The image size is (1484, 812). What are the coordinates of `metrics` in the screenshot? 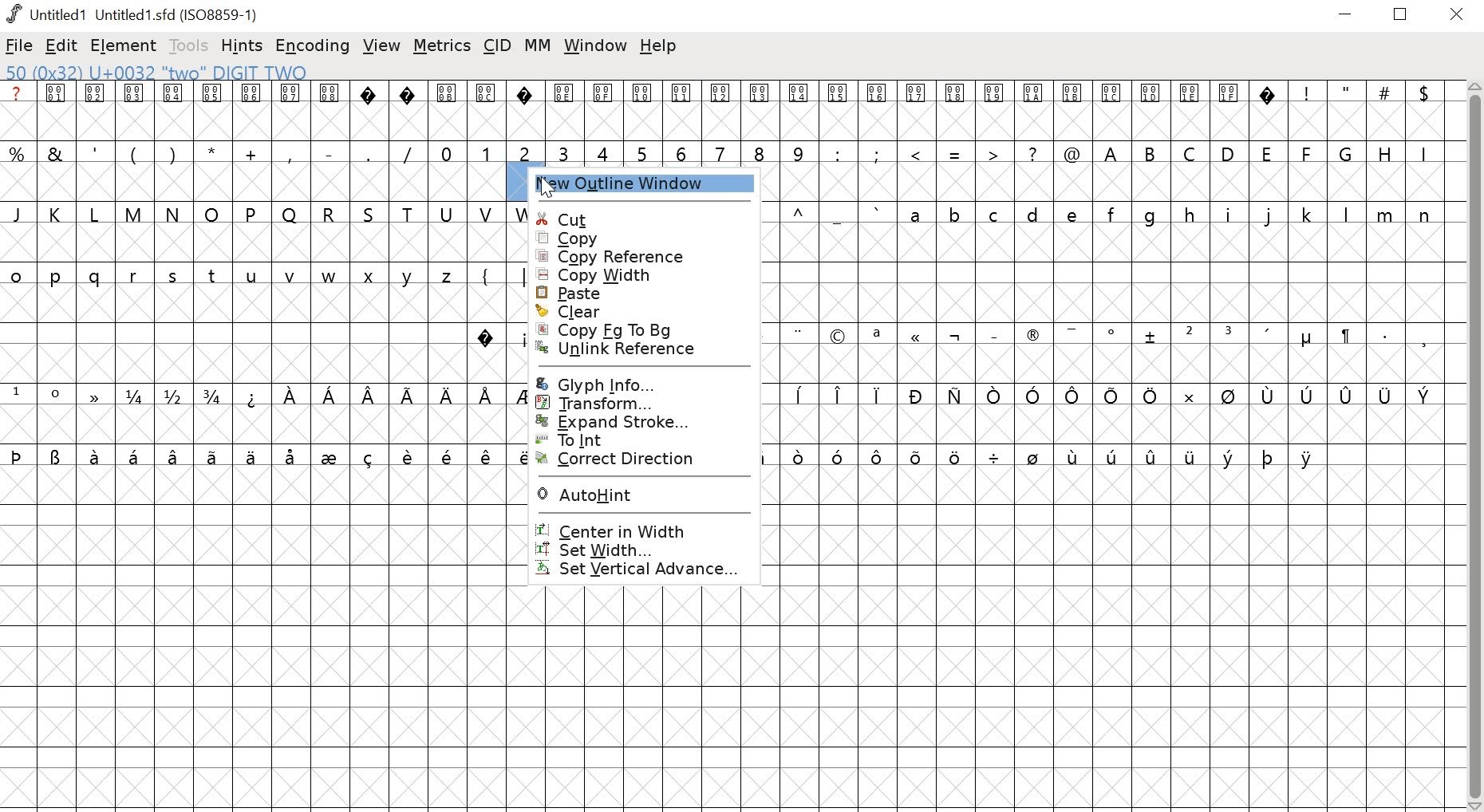 It's located at (443, 46).